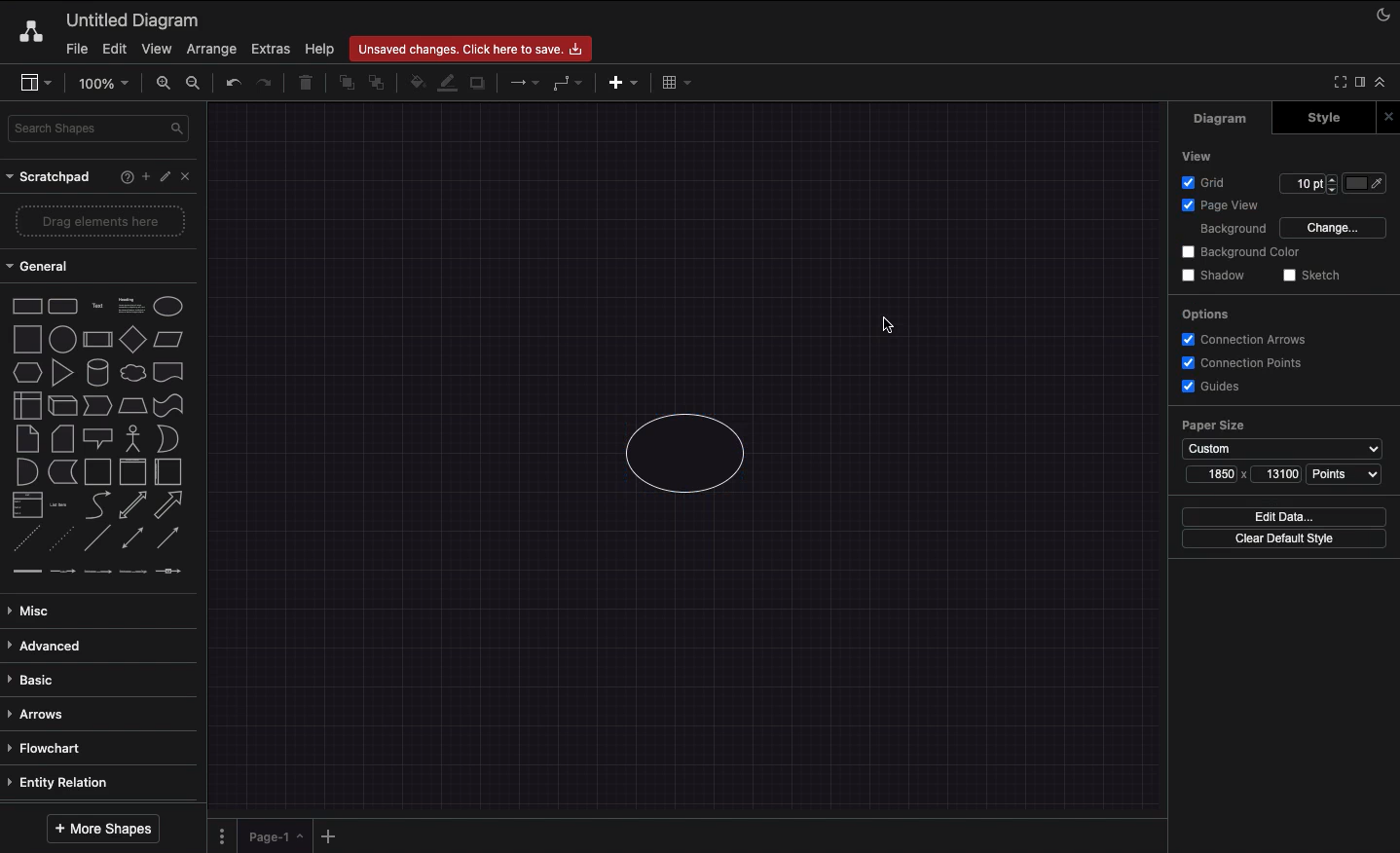 Image resolution: width=1400 pixels, height=853 pixels. Describe the element at coordinates (97, 471) in the screenshot. I see `Container` at that location.